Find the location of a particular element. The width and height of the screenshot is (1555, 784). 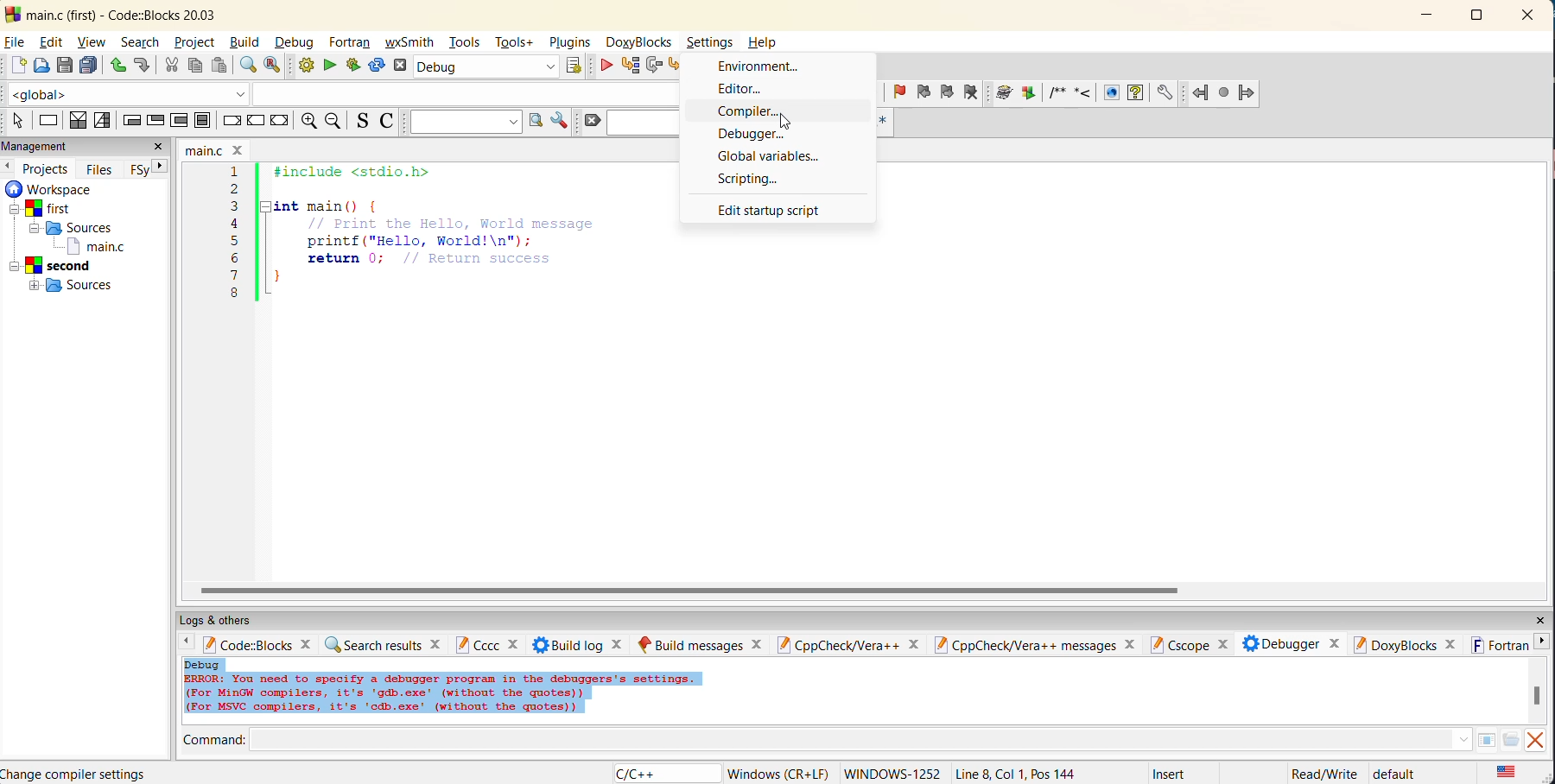

return instruction is located at coordinates (280, 120).